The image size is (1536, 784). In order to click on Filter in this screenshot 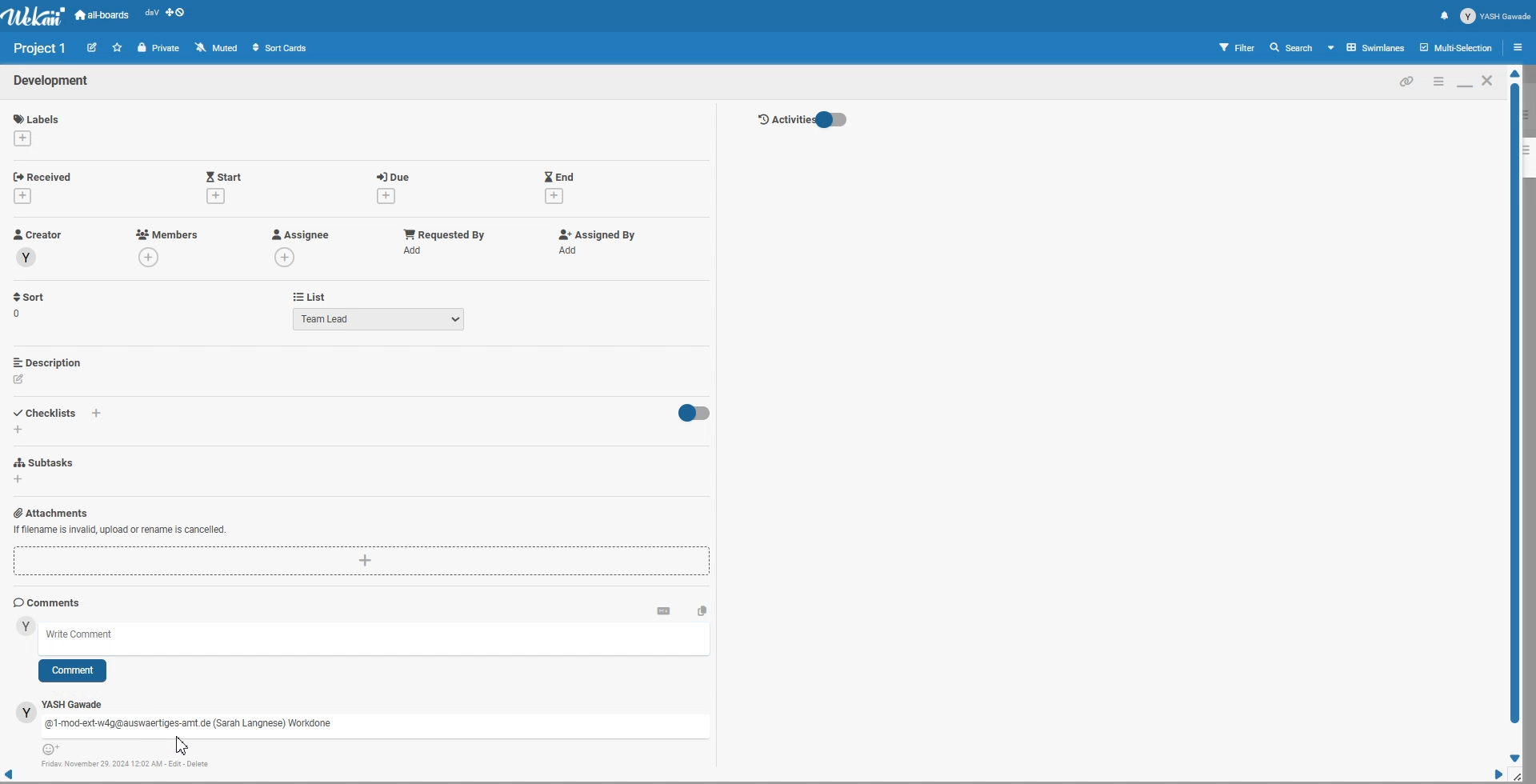, I will do `click(1238, 47)`.